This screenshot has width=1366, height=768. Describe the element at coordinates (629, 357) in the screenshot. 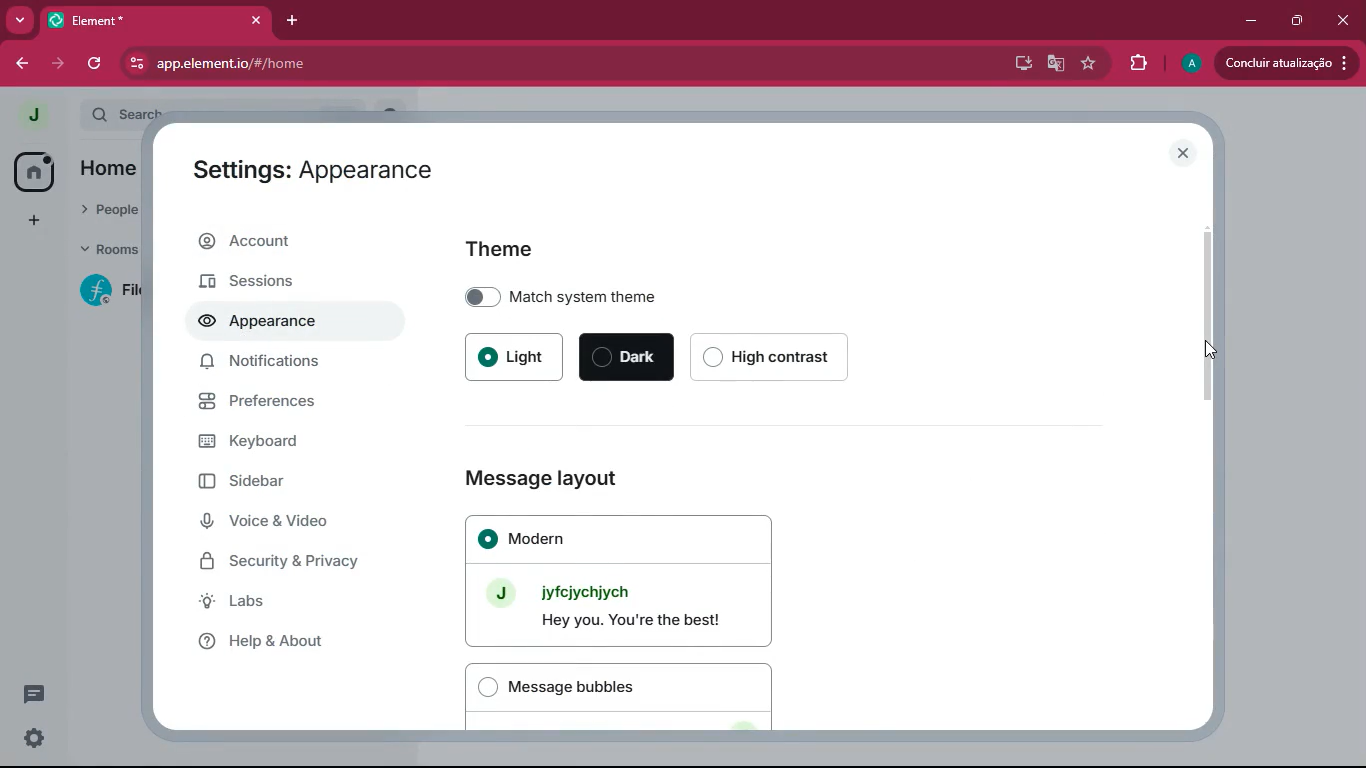

I see `Dark` at that location.